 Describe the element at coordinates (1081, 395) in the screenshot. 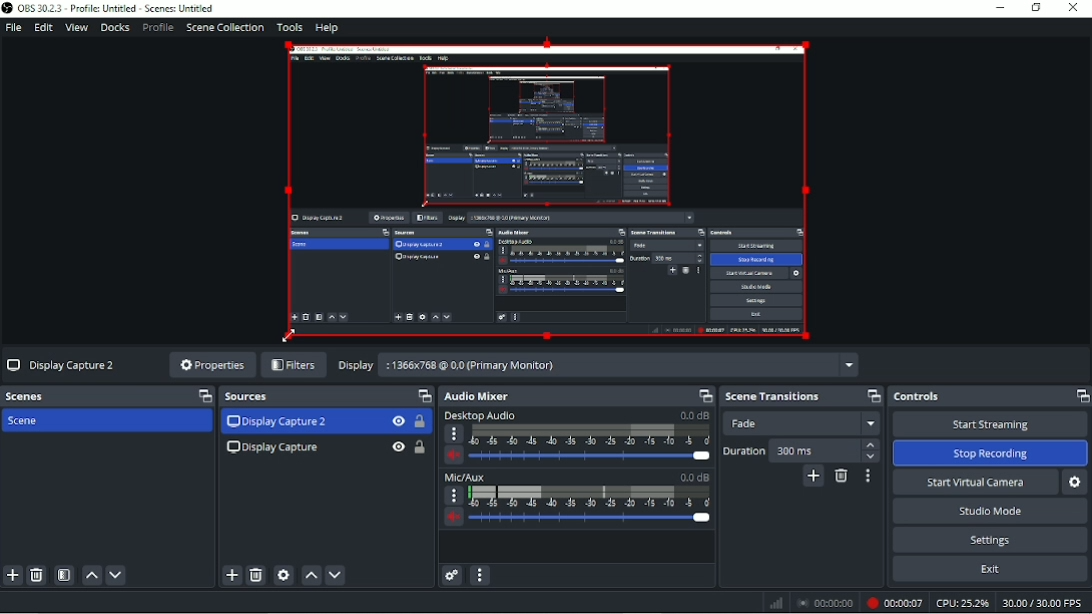

I see `Maximize` at that location.